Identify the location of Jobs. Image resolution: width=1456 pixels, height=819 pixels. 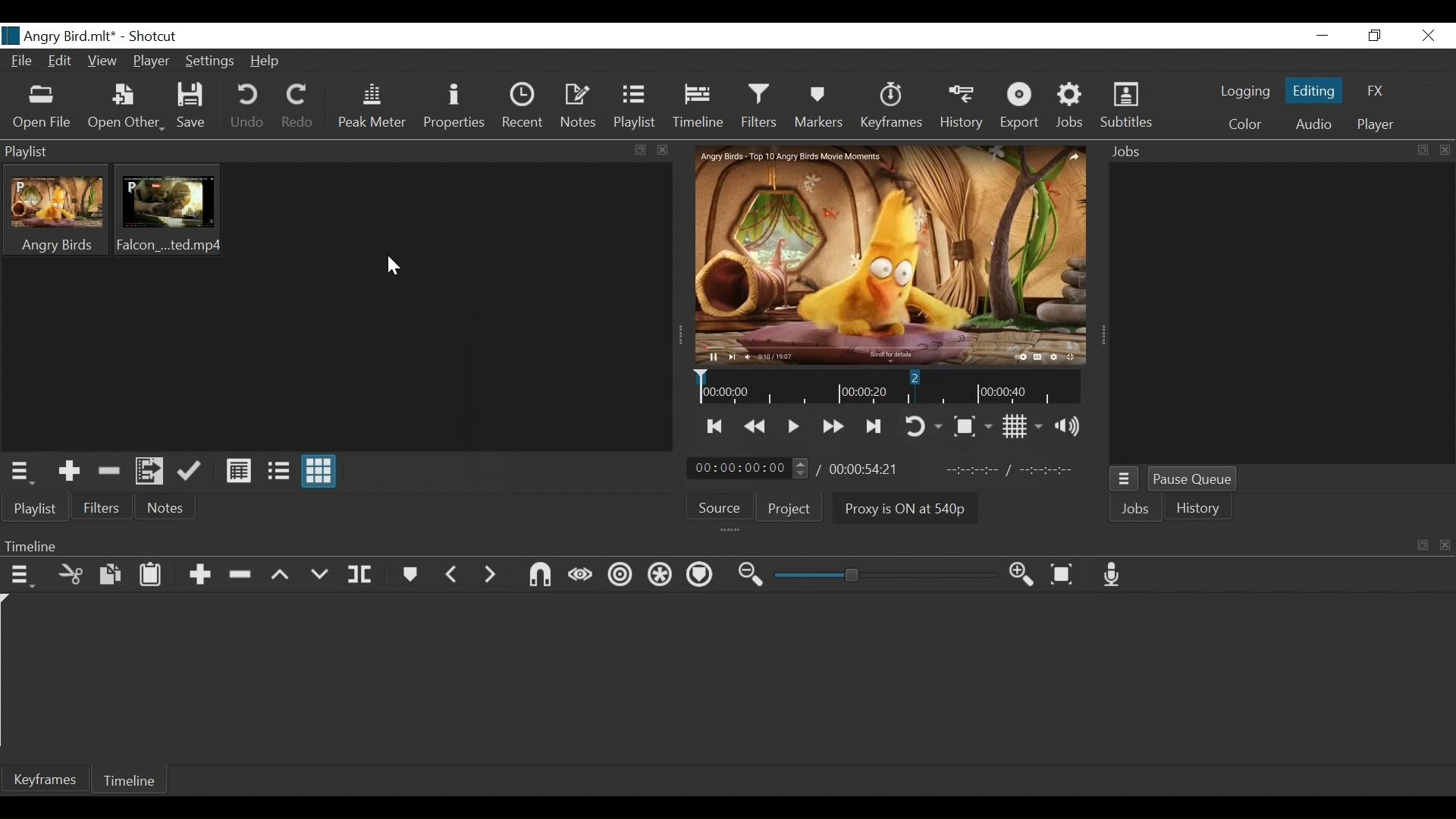
(1072, 106).